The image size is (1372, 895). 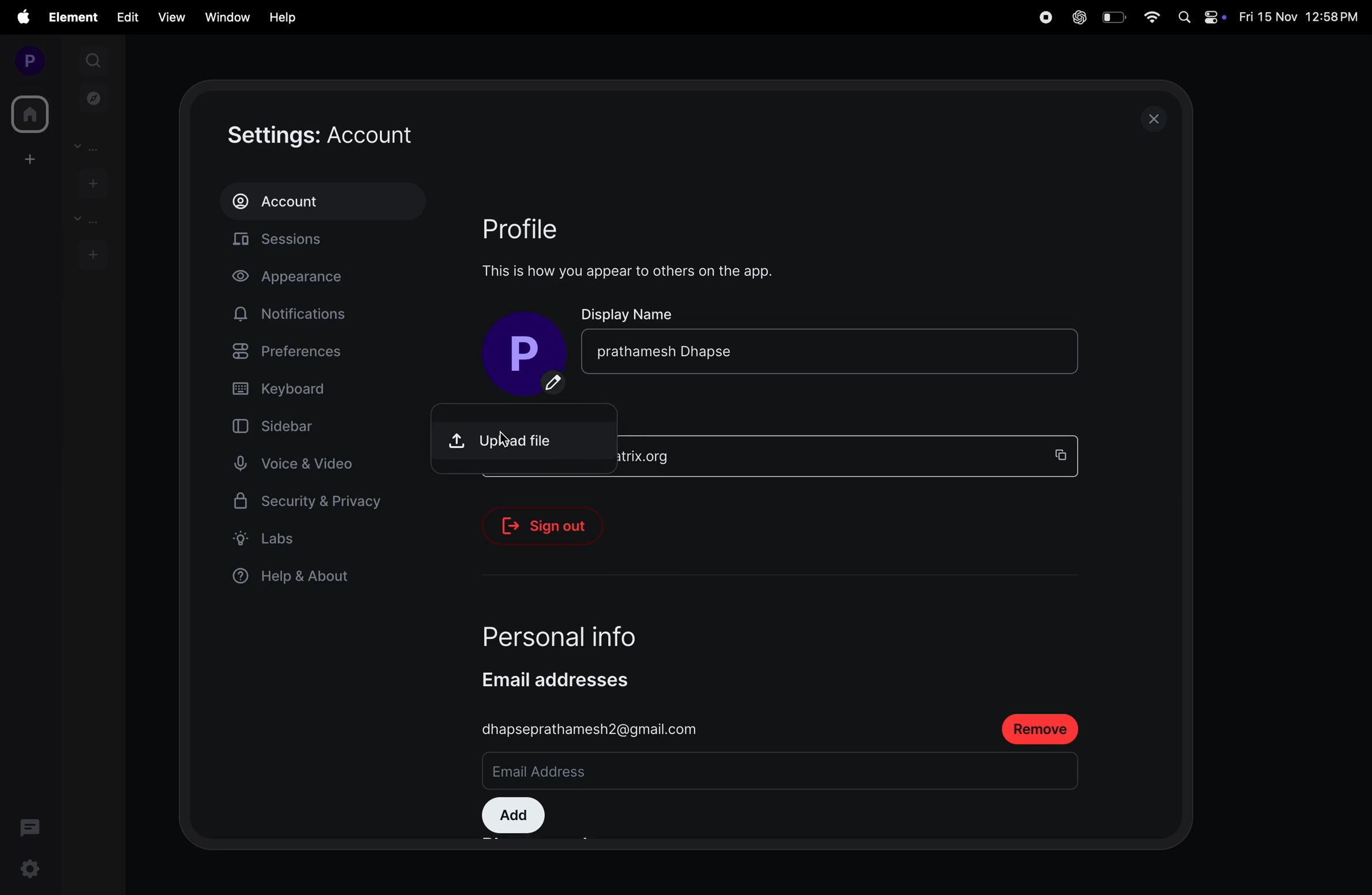 I want to click on search1, so click(x=95, y=59).